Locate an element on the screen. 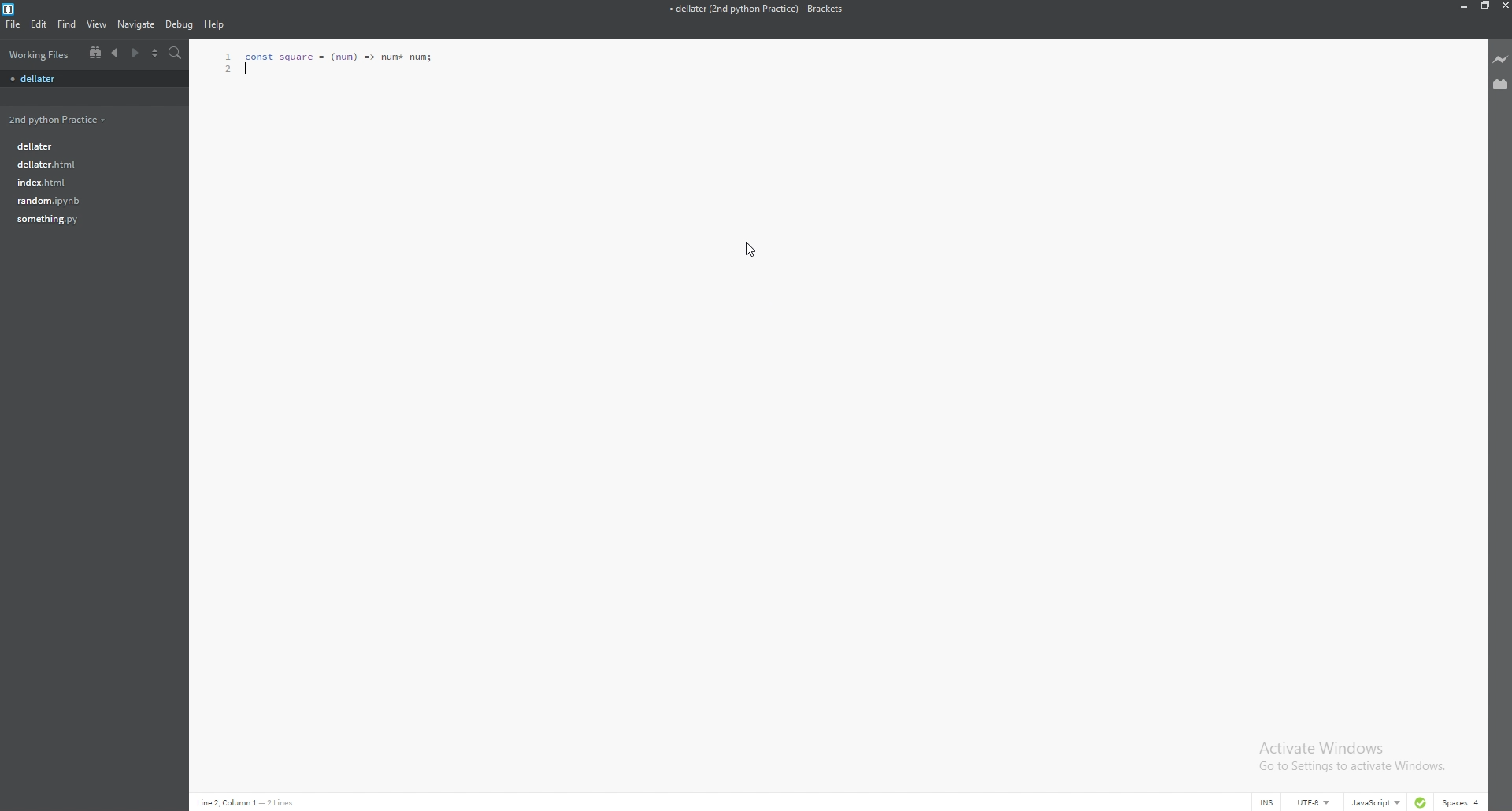 The height and width of the screenshot is (811, 1512). Cursor is located at coordinates (749, 250).